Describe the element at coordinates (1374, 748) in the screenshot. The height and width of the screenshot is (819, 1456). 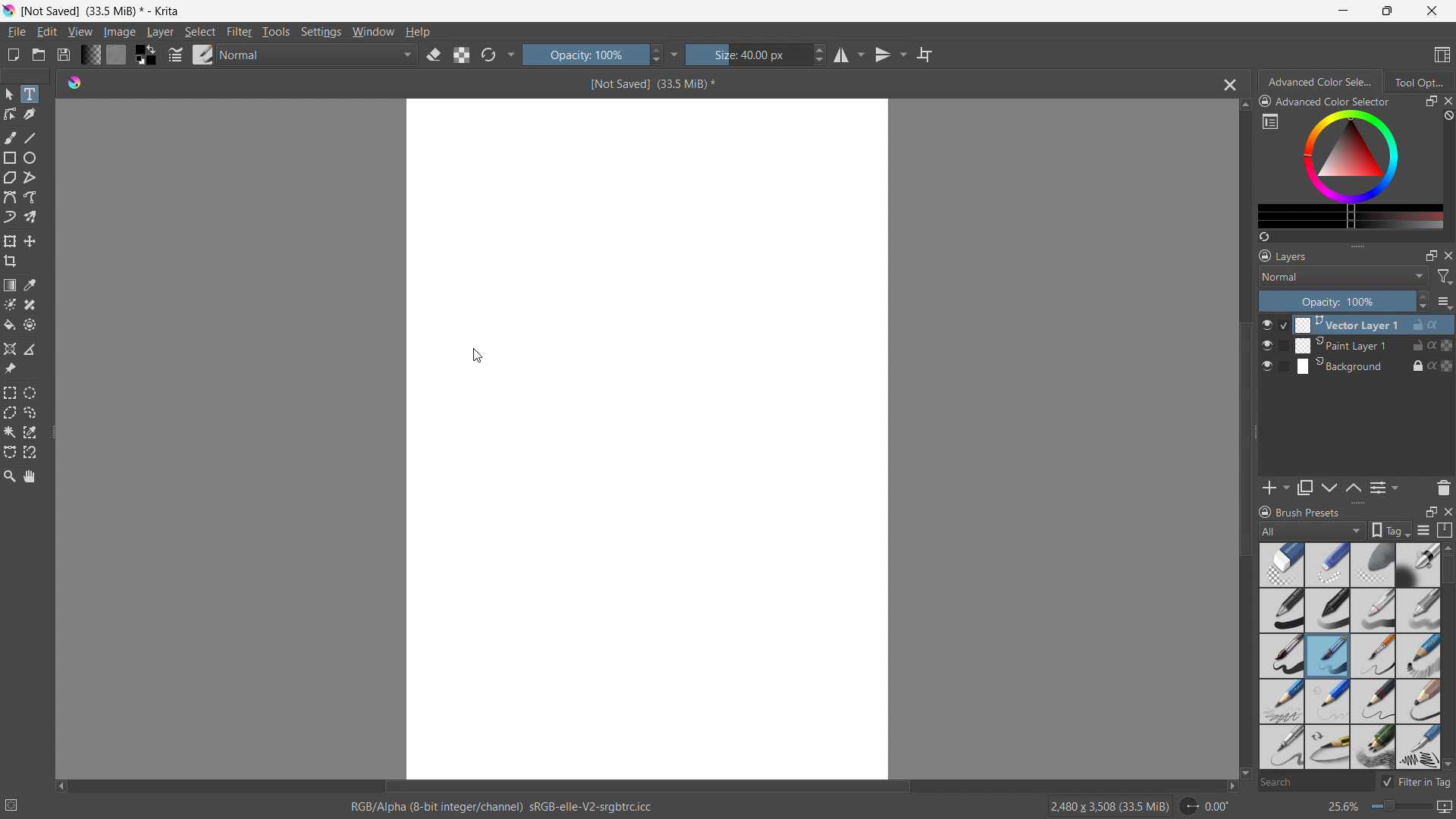
I see `multi pencil ` at that location.